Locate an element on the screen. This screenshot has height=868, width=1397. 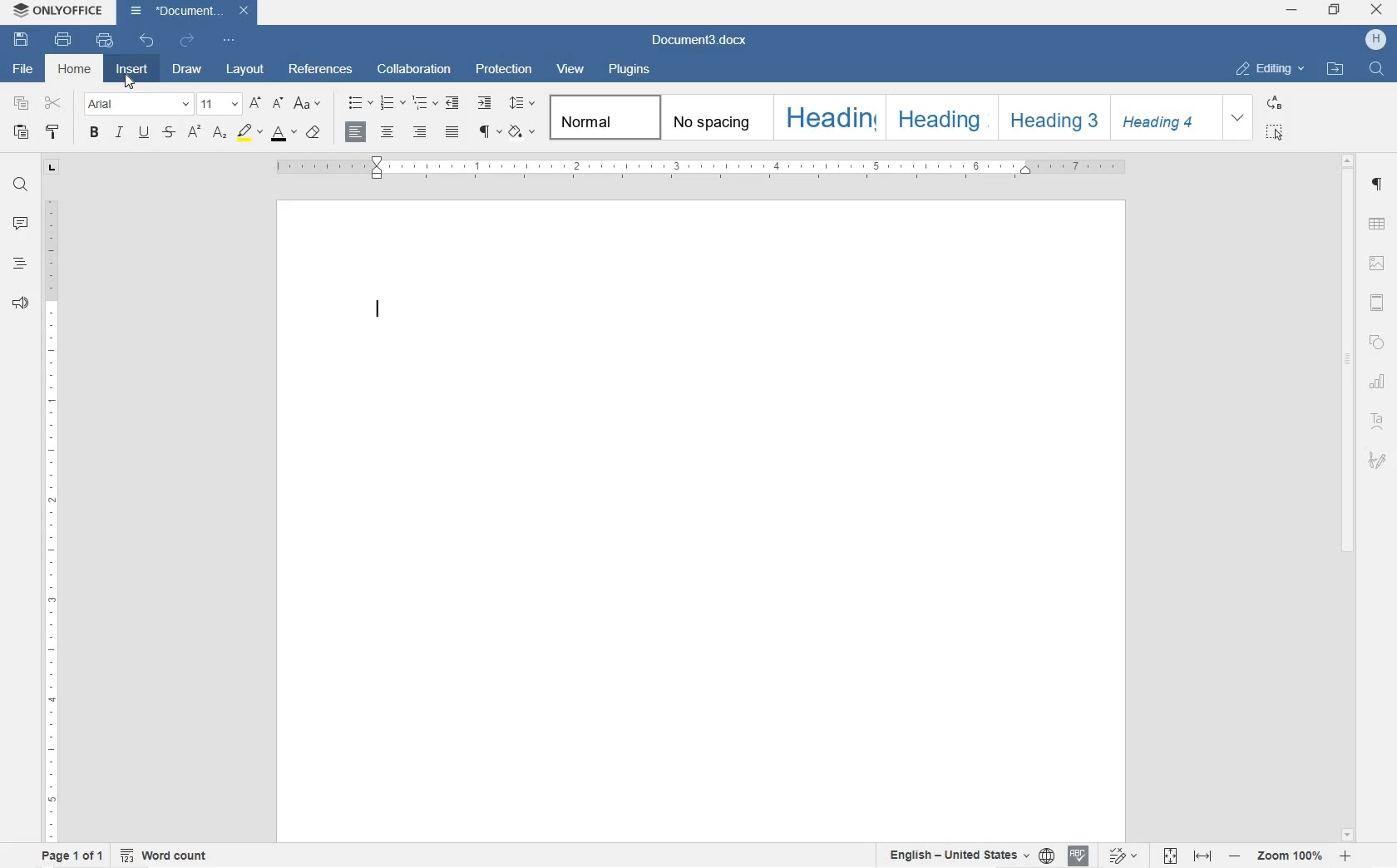
DECREMENT FONT SIZE is located at coordinates (278, 104).